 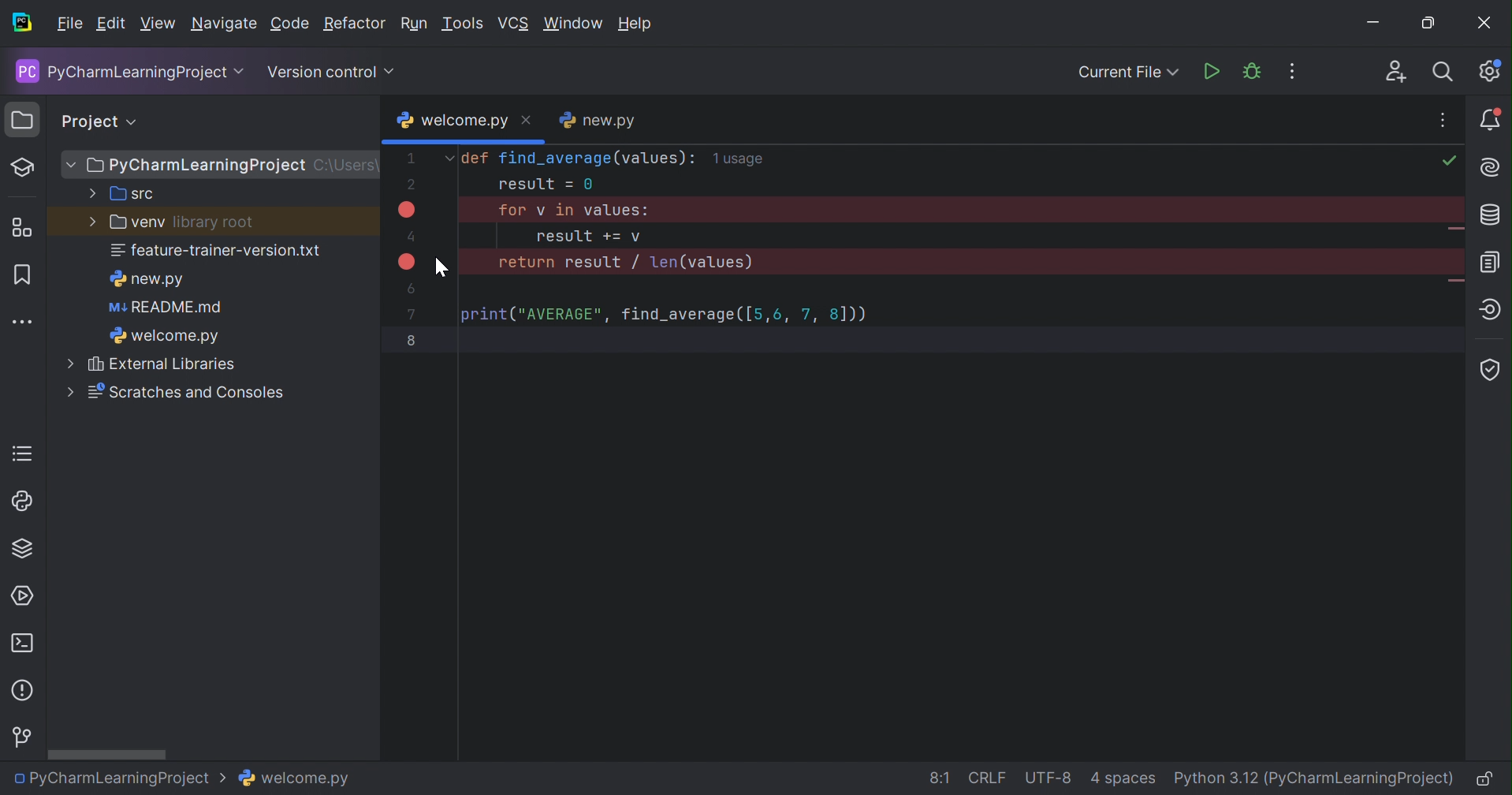 I want to click on Minimize, so click(x=1372, y=24).